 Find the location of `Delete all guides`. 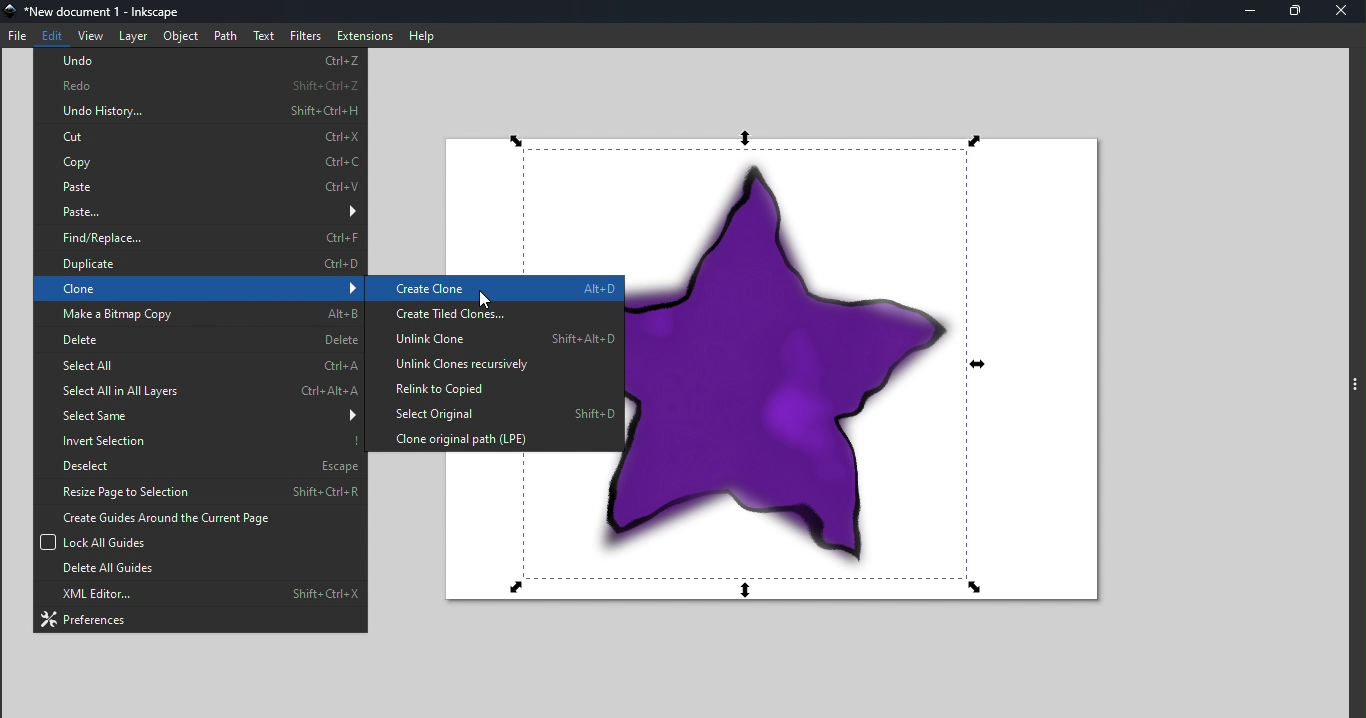

Delete all guides is located at coordinates (198, 571).